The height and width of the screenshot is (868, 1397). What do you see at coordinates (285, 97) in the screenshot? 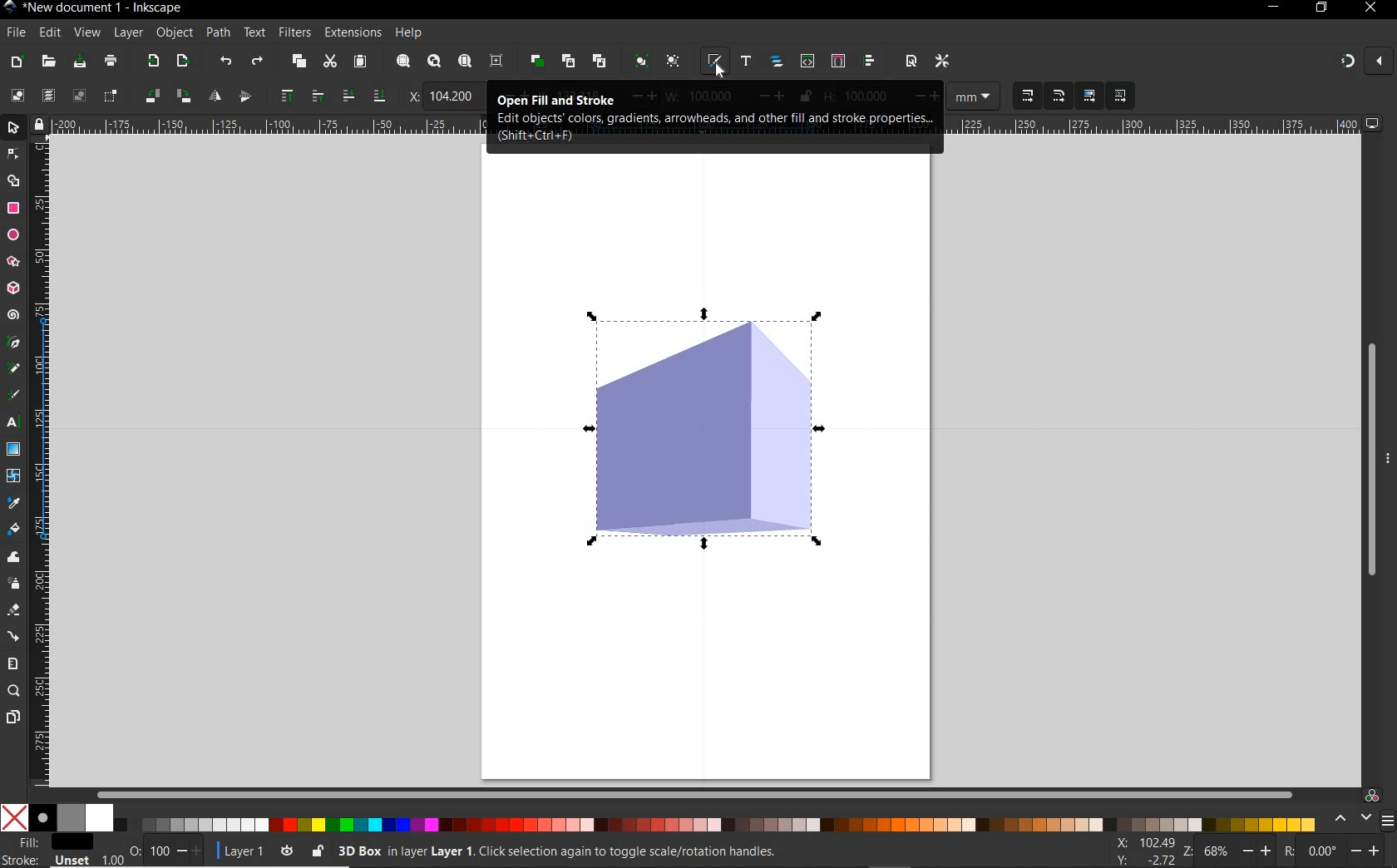
I see `RAISE SELECTION` at bounding box center [285, 97].